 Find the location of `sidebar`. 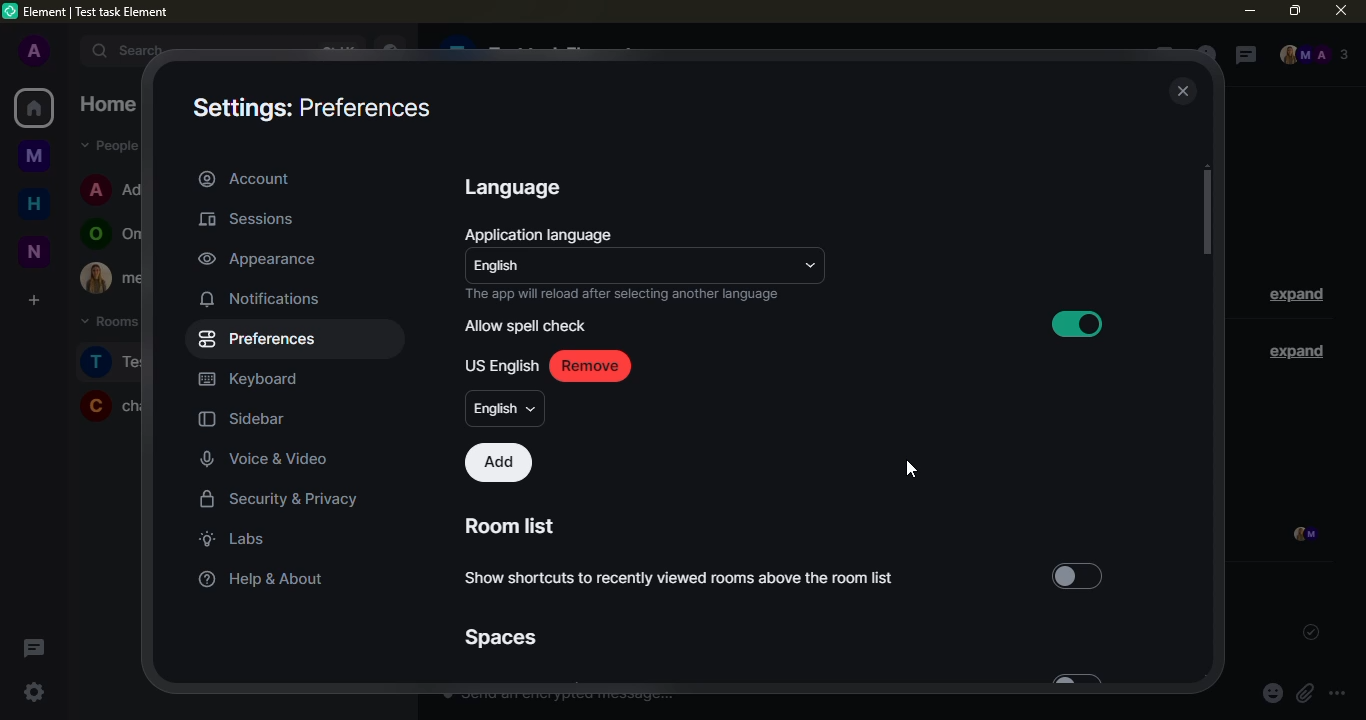

sidebar is located at coordinates (242, 420).